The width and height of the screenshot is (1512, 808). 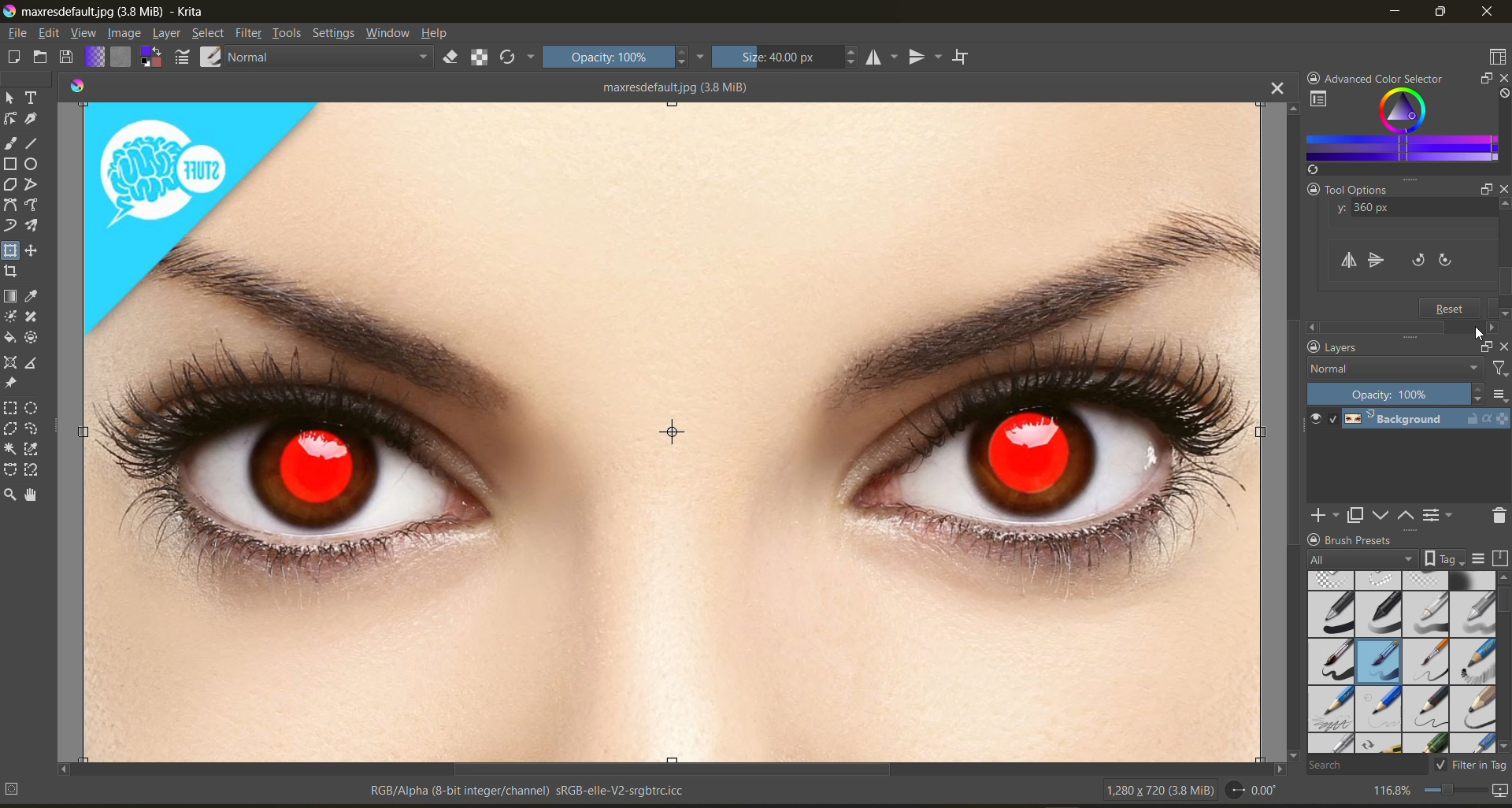 What do you see at coordinates (1350, 262) in the screenshot?
I see `flip canvas horizontally` at bounding box center [1350, 262].